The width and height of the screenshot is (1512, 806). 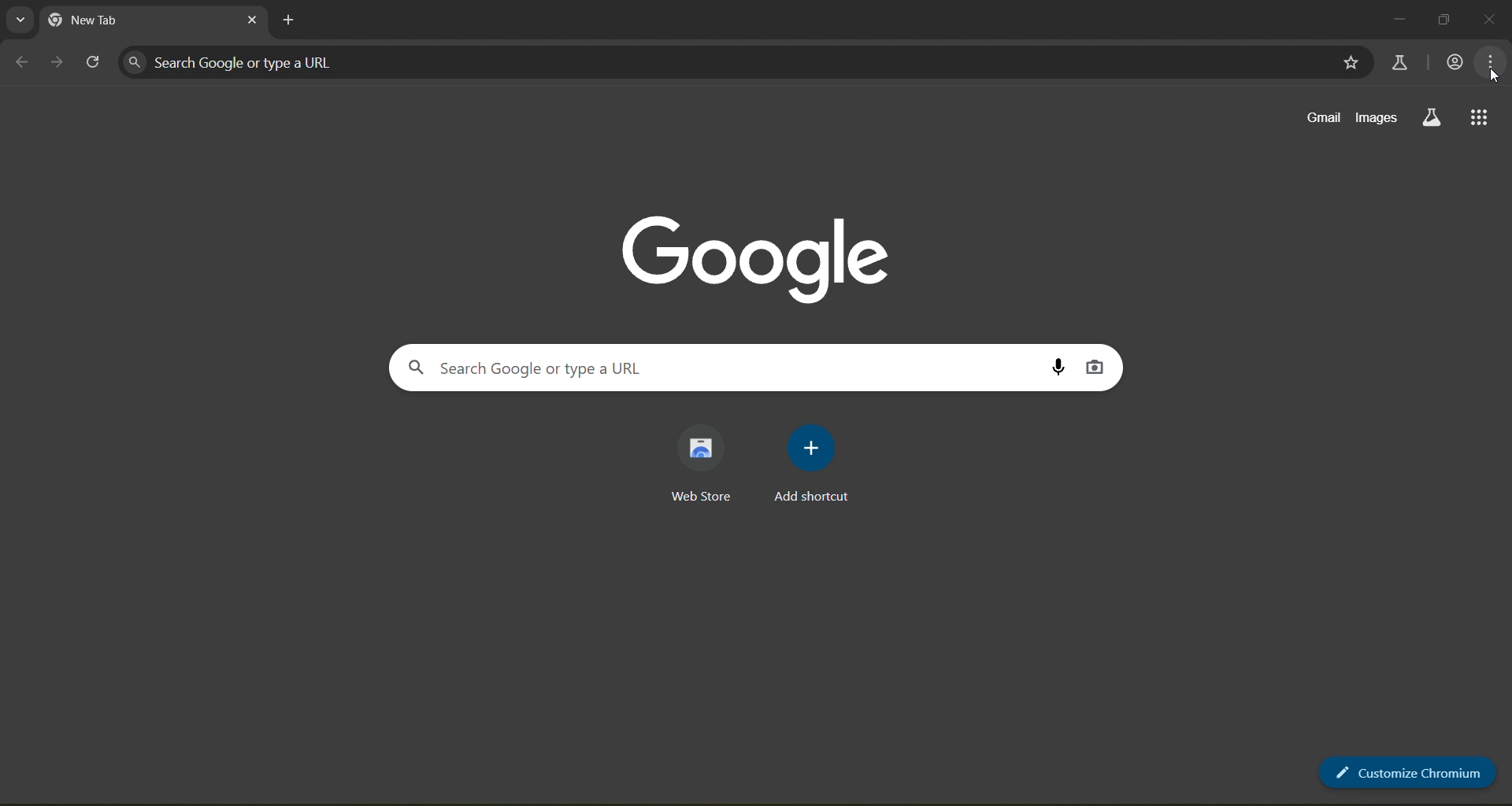 What do you see at coordinates (1453, 61) in the screenshot?
I see `account` at bounding box center [1453, 61].